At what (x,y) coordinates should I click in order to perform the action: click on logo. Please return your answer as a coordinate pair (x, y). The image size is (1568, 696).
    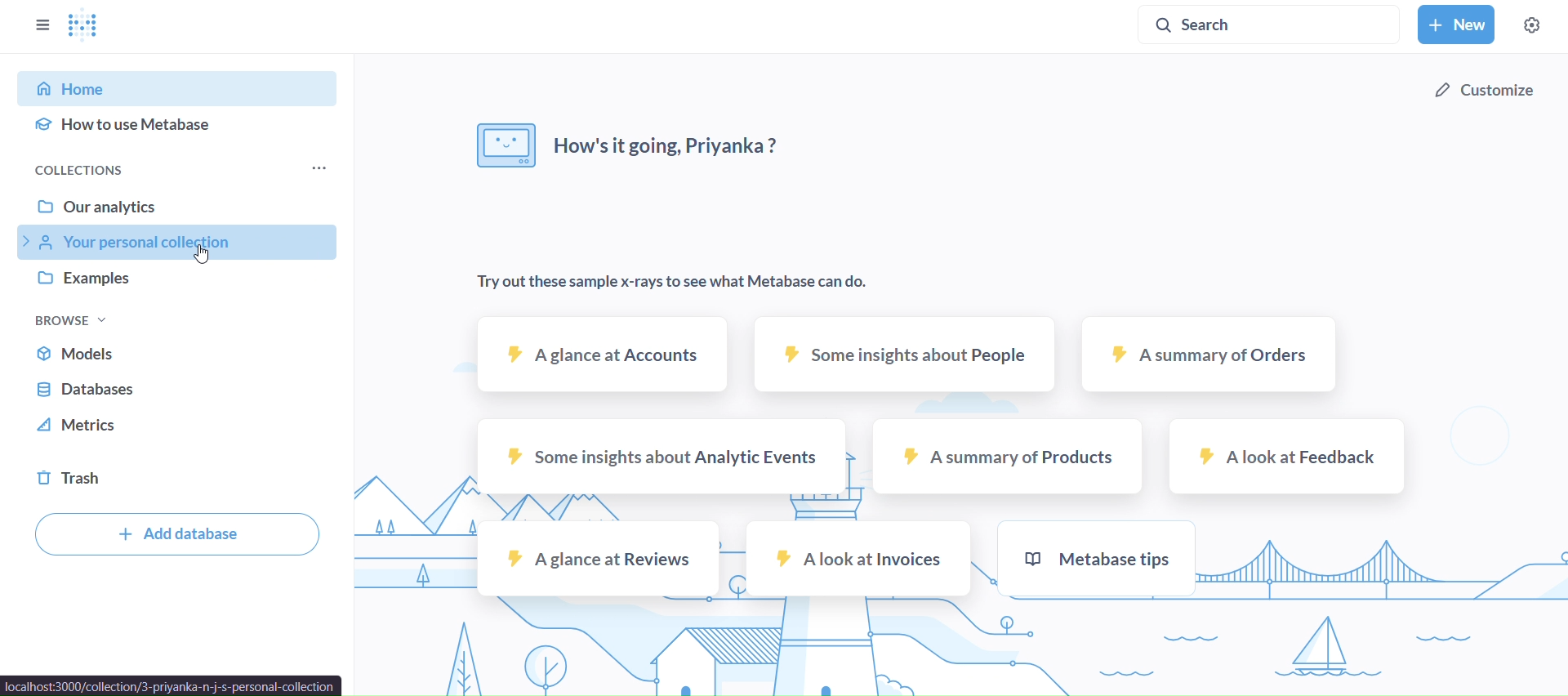
    Looking at the image, I should click on (86, 26).